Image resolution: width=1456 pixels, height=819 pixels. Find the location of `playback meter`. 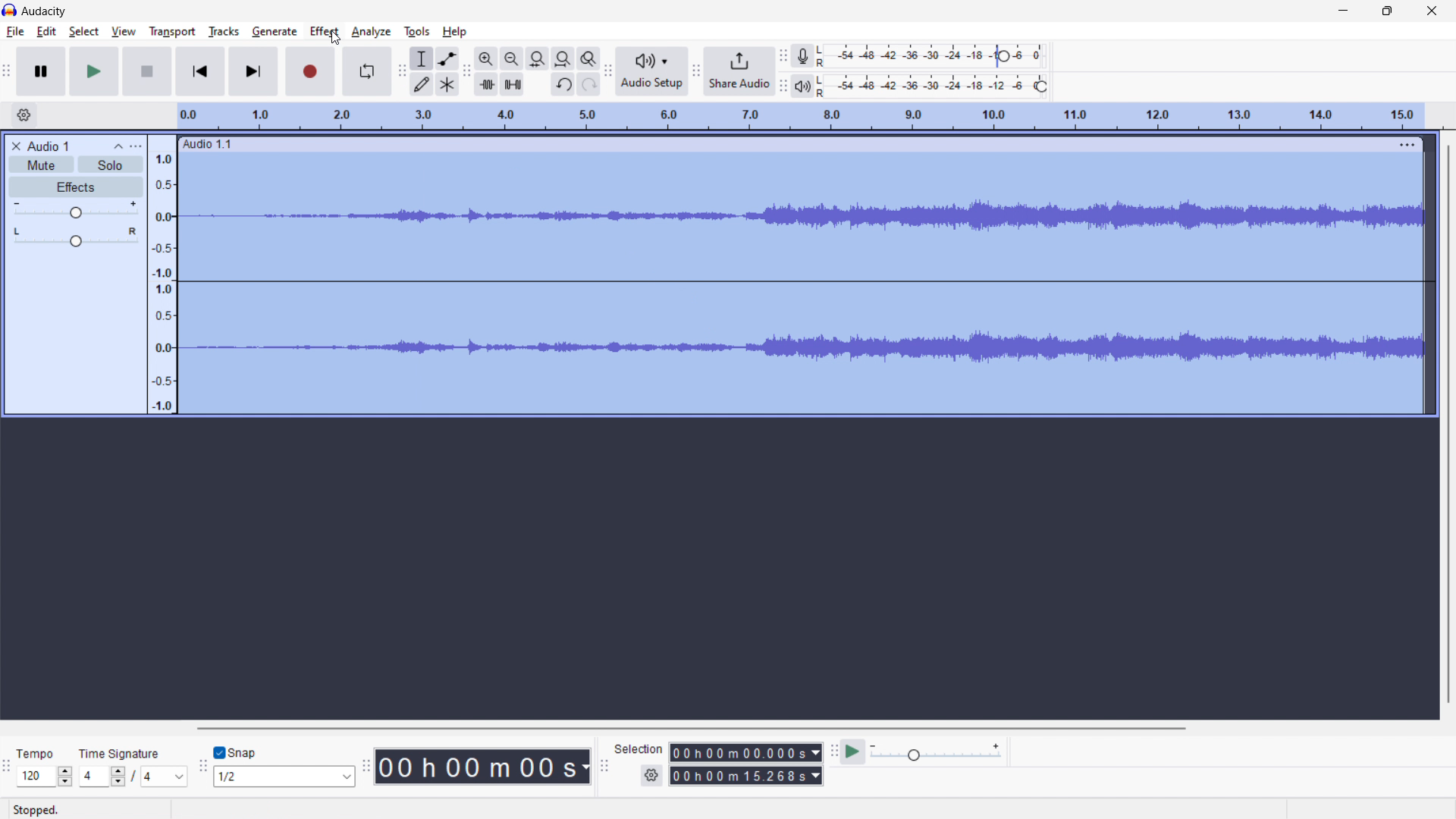

playback meter is located at coordinates (802, 86).